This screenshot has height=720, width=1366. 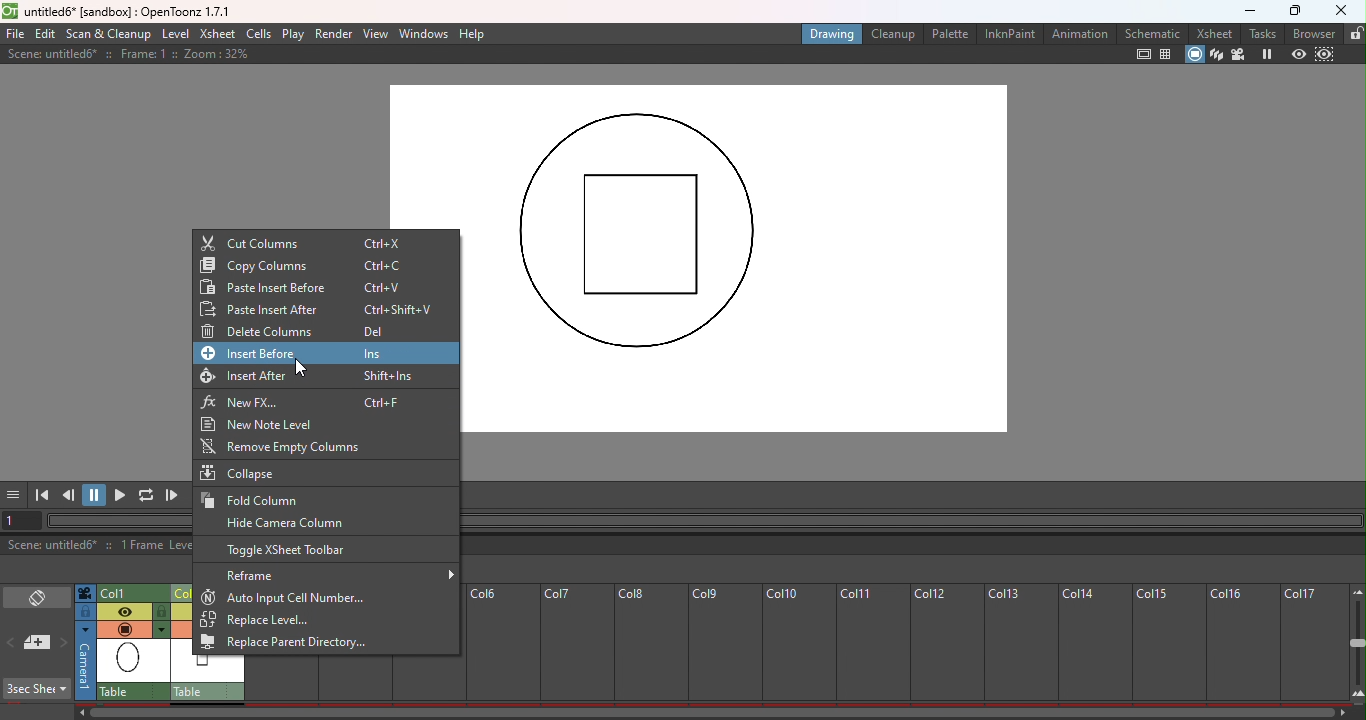 What do you see at coordinates (163, 612) in the screenshot?
I see `Lock toggle` at bounding box center [163, 612].